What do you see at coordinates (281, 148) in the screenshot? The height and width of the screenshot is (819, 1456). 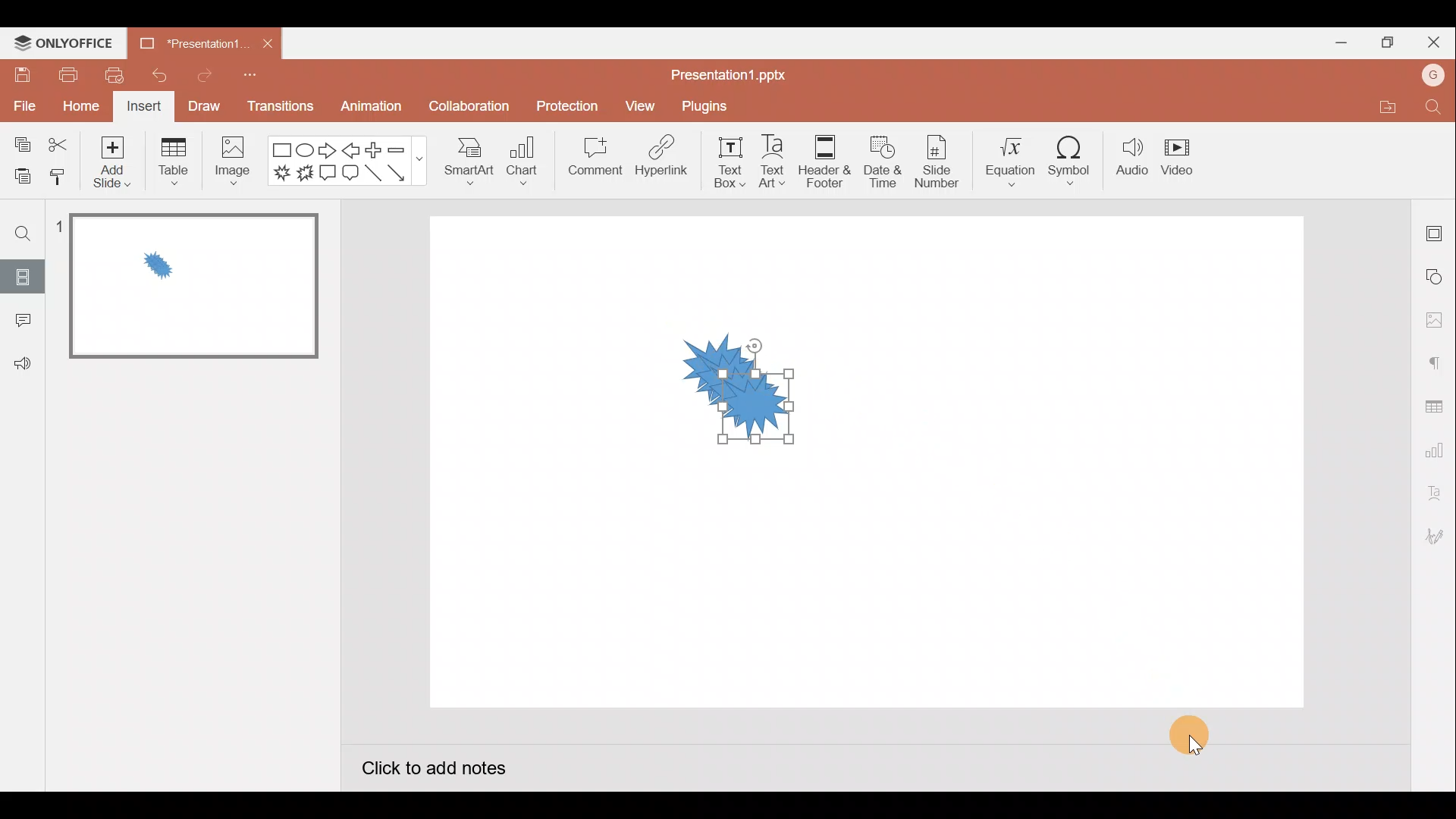 I see `Rectangle` at bounding box center [281, 148].